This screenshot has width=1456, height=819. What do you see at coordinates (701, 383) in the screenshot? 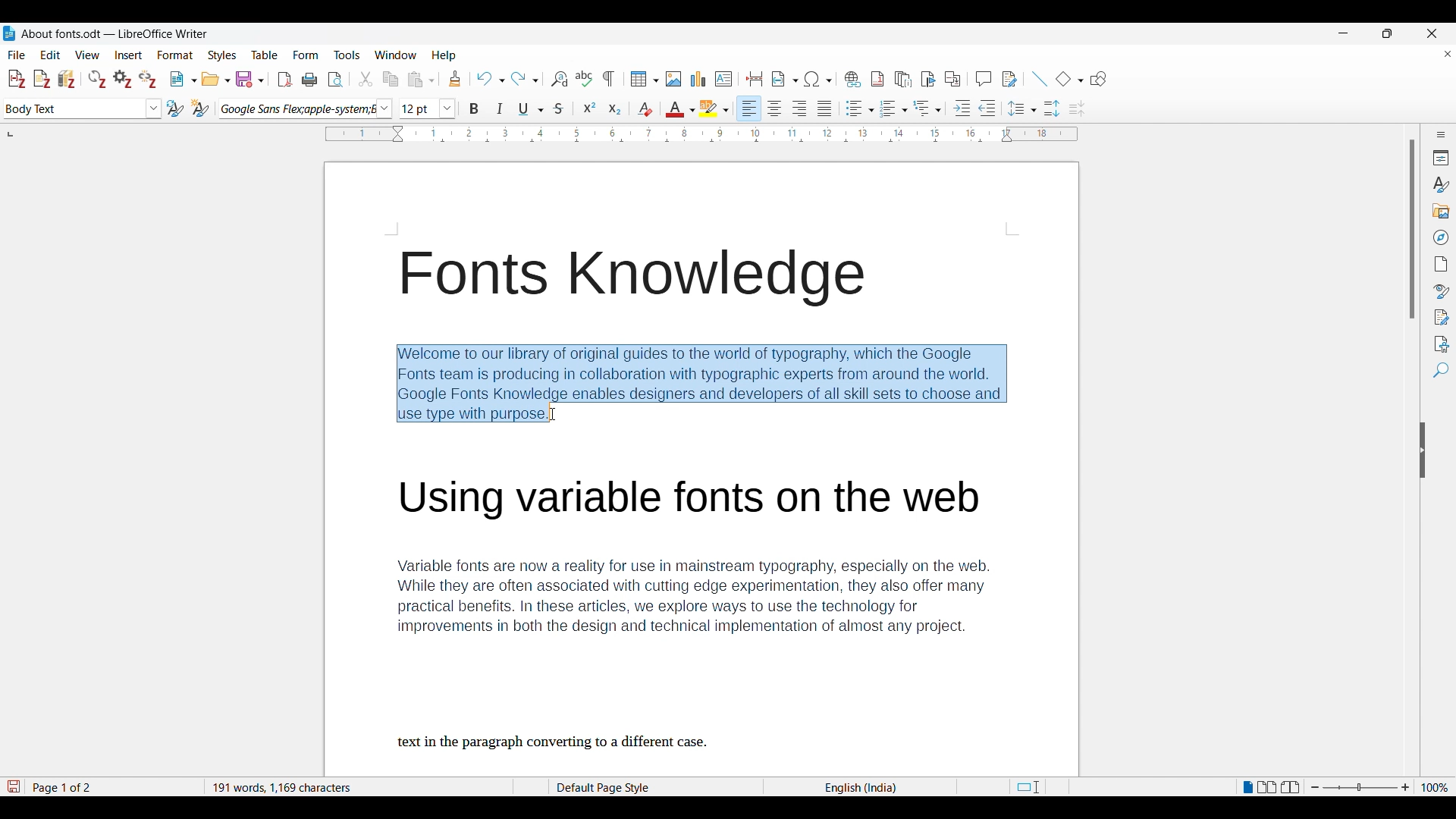
I see `Paragraph selected by cursor` at bounding box center [701, 383].